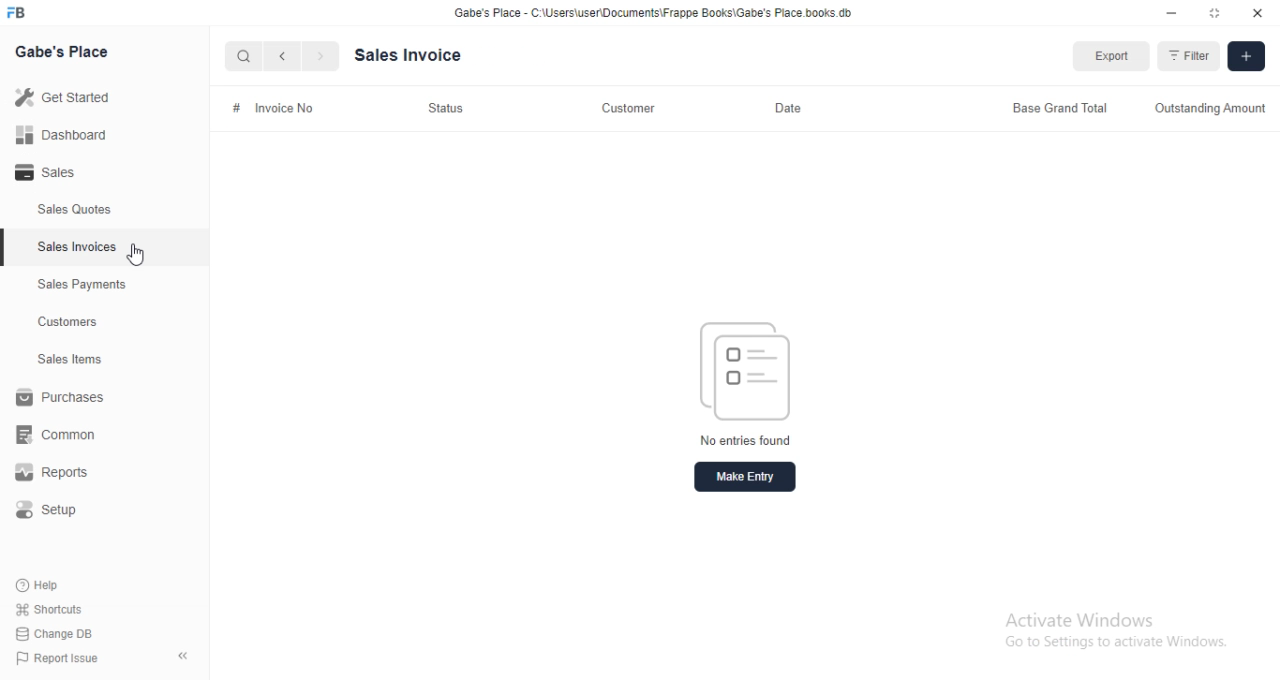  What do you see at coordinates (1114, 55) in the screenshot?
I see `Export` at bounding box center [1114, 55].